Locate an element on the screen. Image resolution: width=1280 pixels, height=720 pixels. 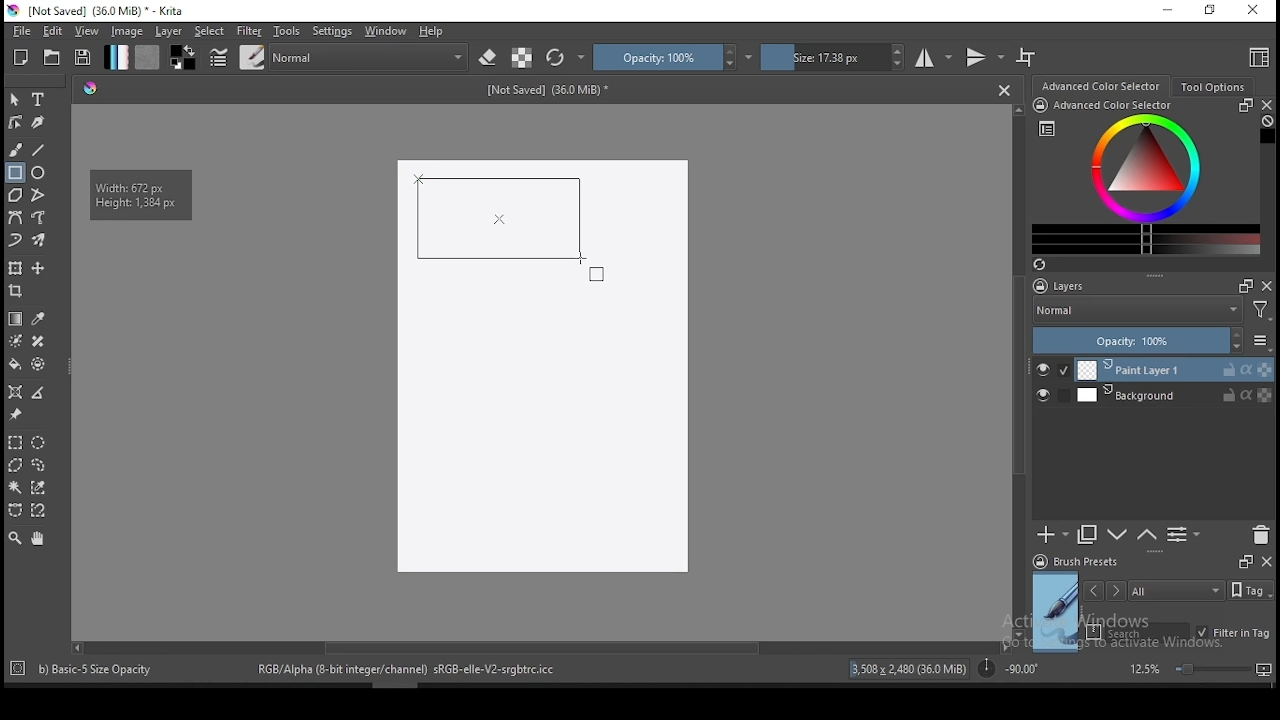
select is located at coordinates (210, 31).